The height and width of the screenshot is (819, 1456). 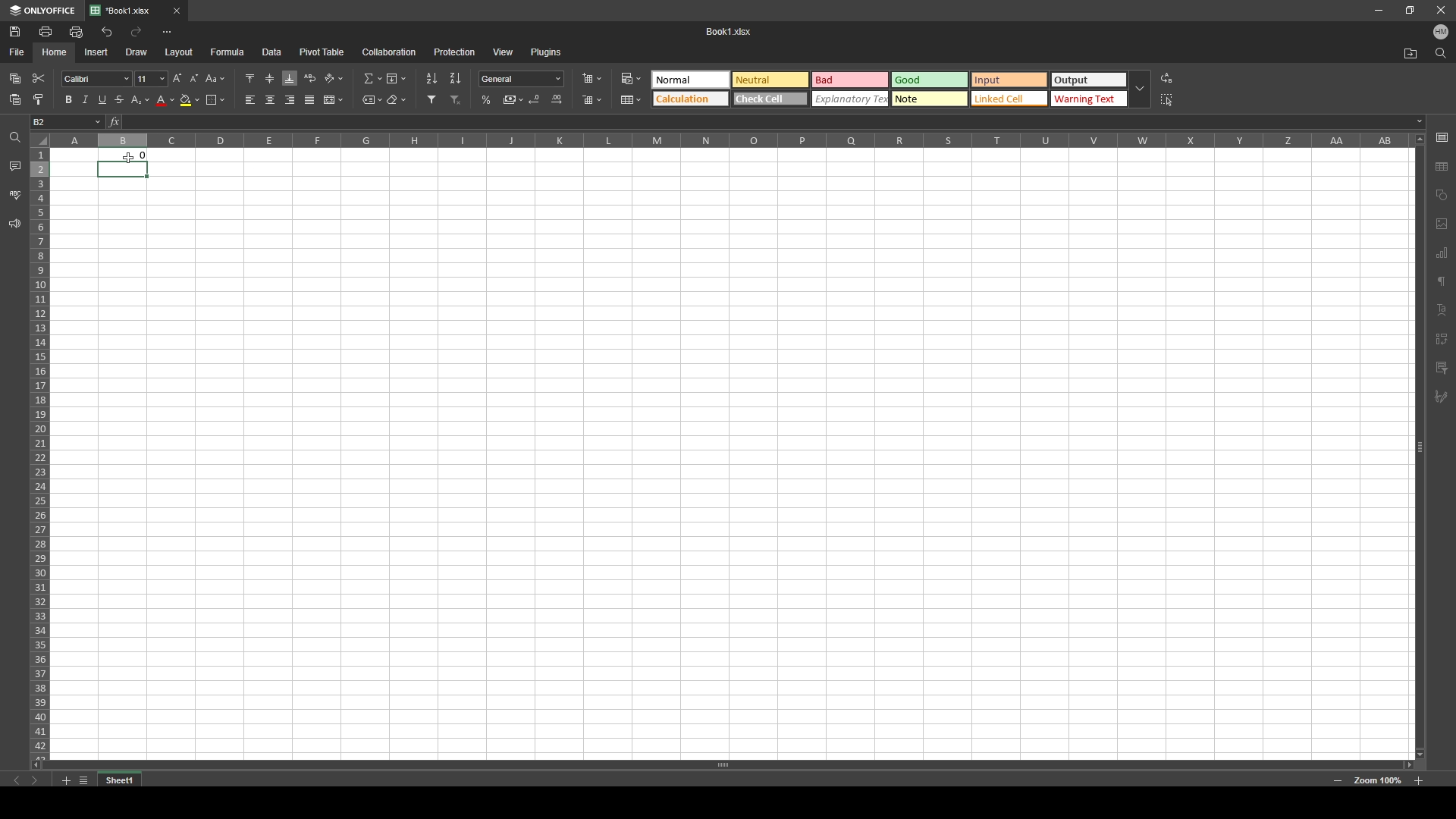 I want to click on Check cell, so click(x=770, y=100).